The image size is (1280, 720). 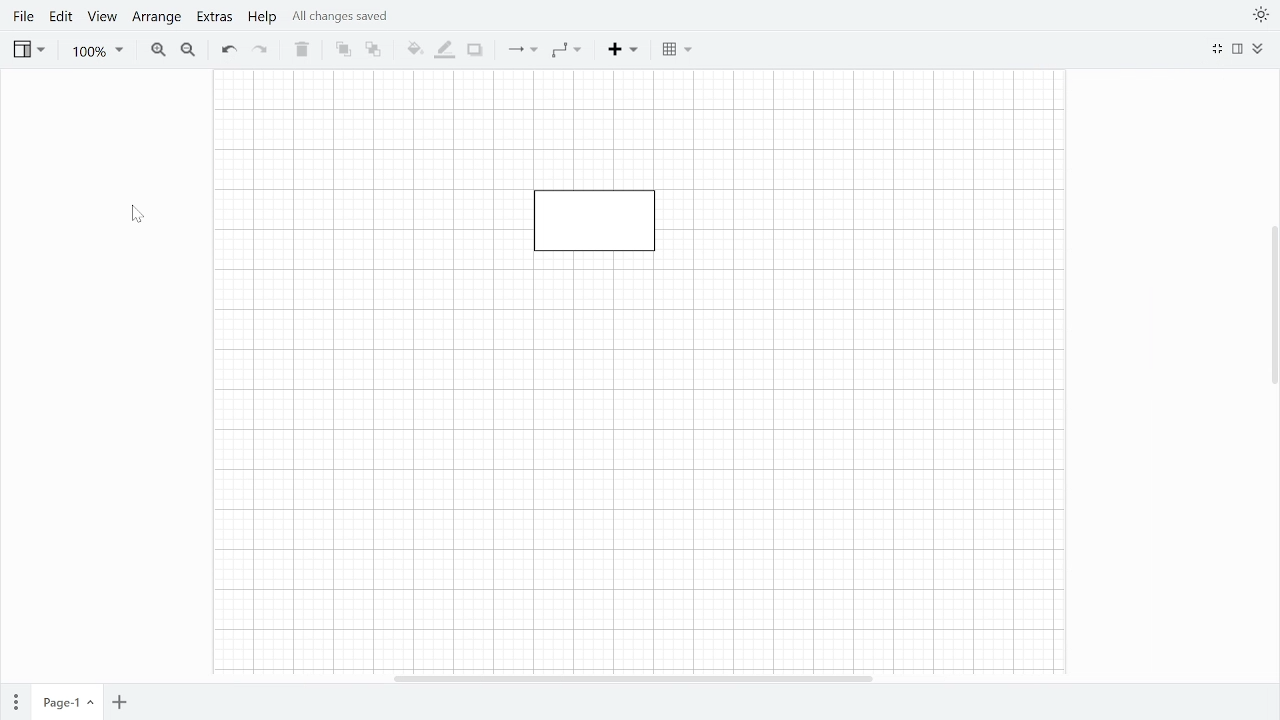 What do you see at coordinates (1261, 13) in the screenshot?
I see `Themes` at bounding box center [1261, 13].